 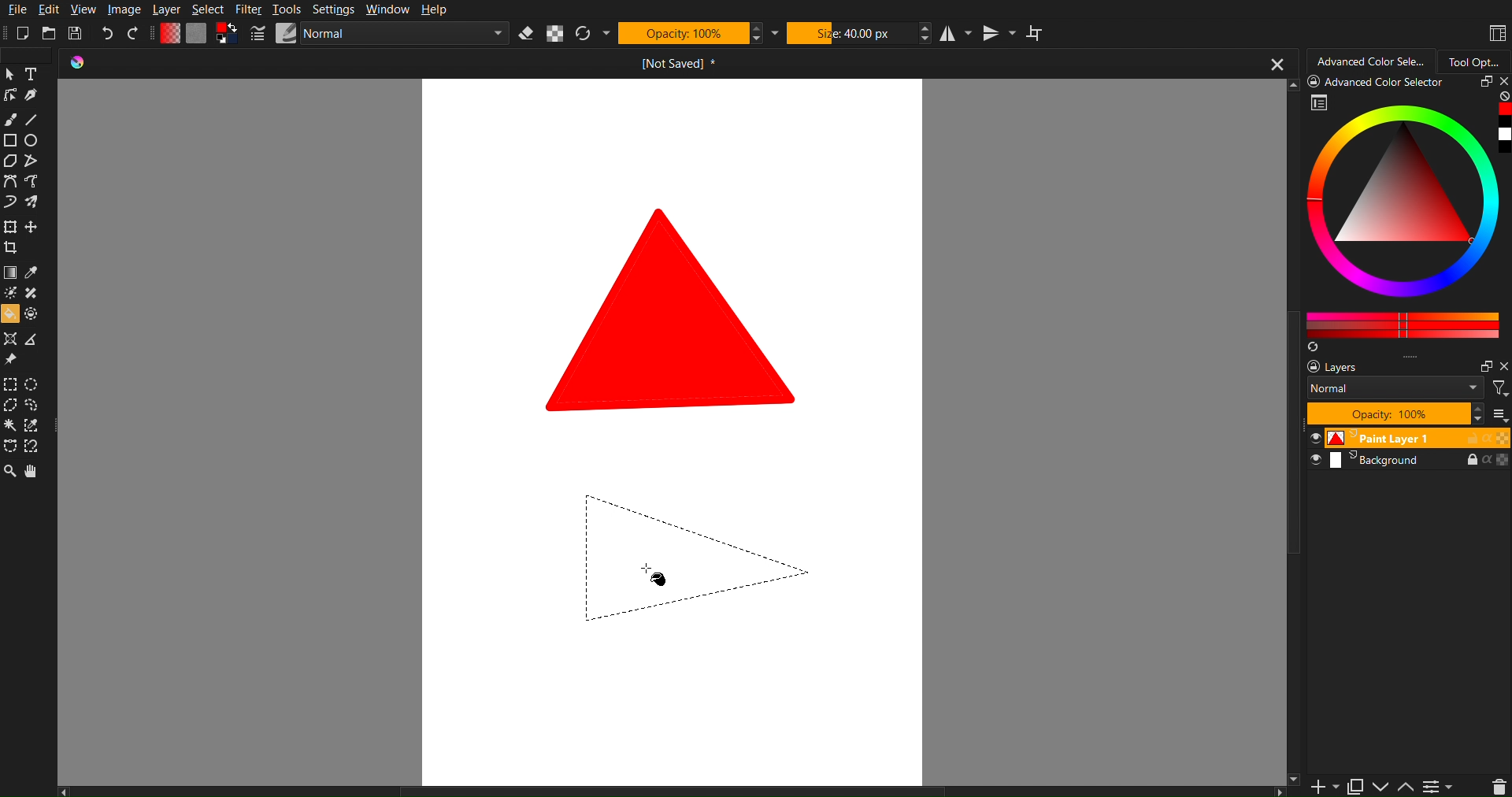 What do you see at coordinates (198, 34) in the screenshot?
I see `Color Settings` at bounding box center [198, 34].